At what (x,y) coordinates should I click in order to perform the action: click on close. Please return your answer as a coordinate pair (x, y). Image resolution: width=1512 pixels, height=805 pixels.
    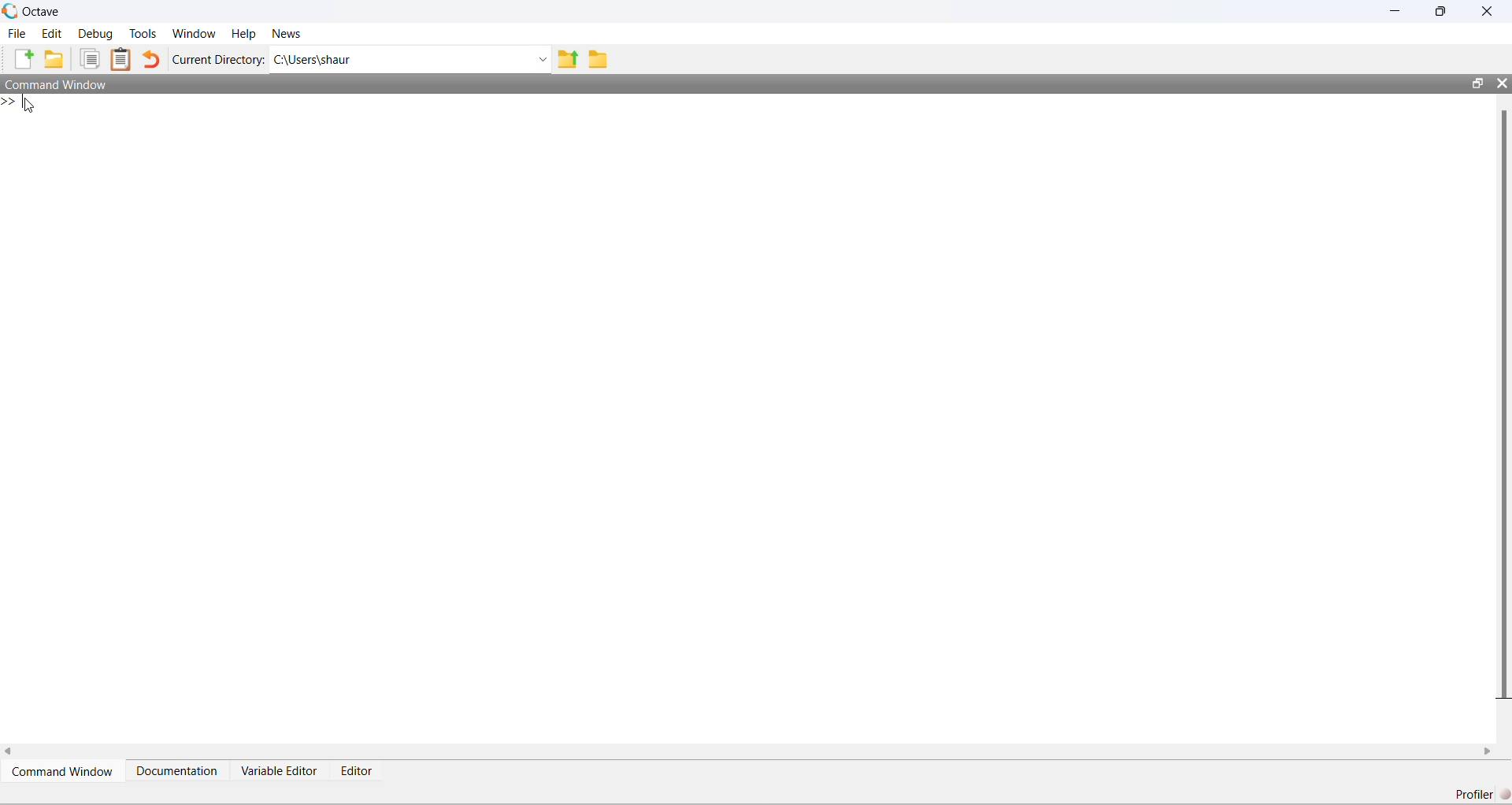
    Looking at the image, I should click on (1501, 83).